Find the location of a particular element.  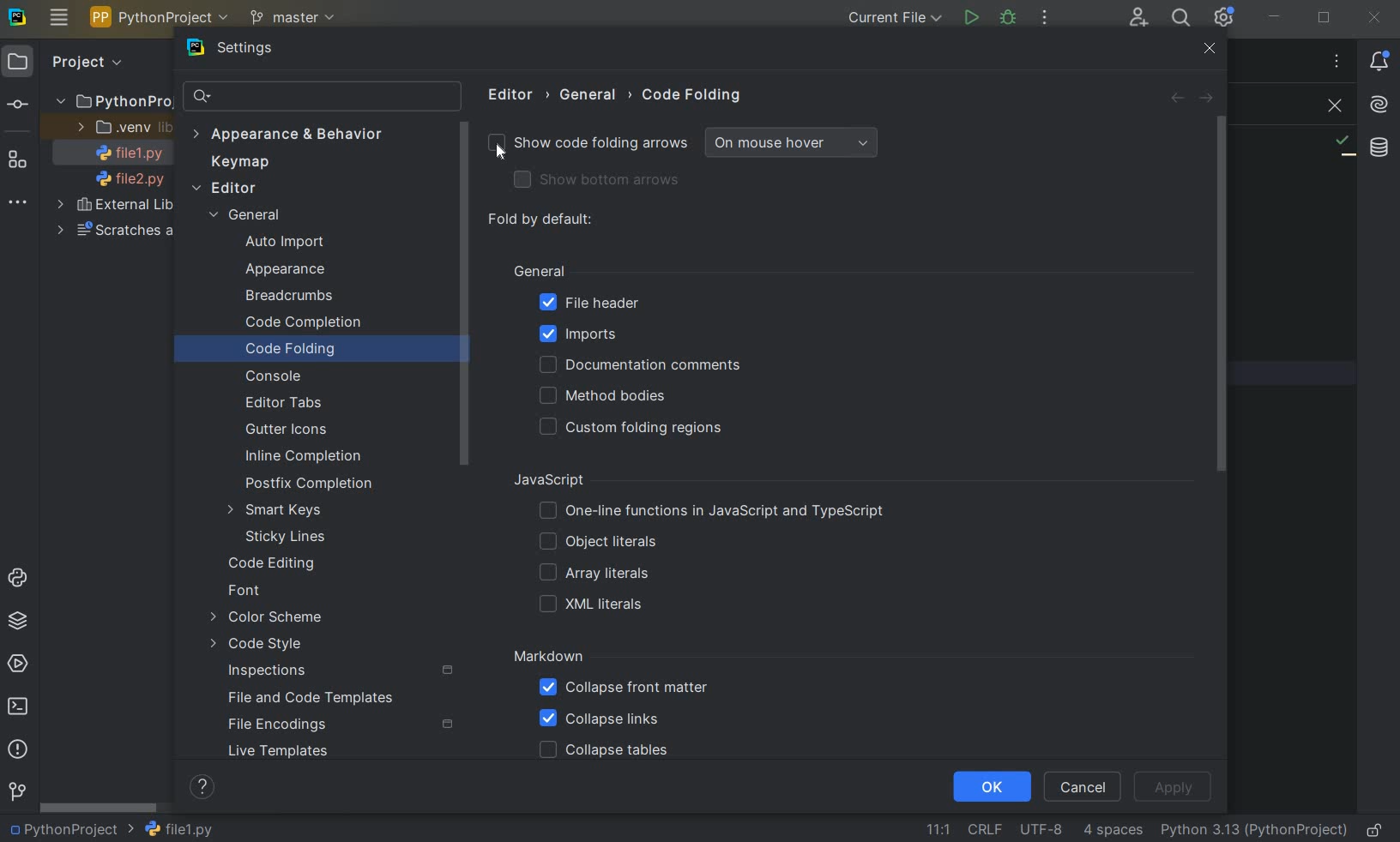

FILE NAME is located at coordinates (178, 829).